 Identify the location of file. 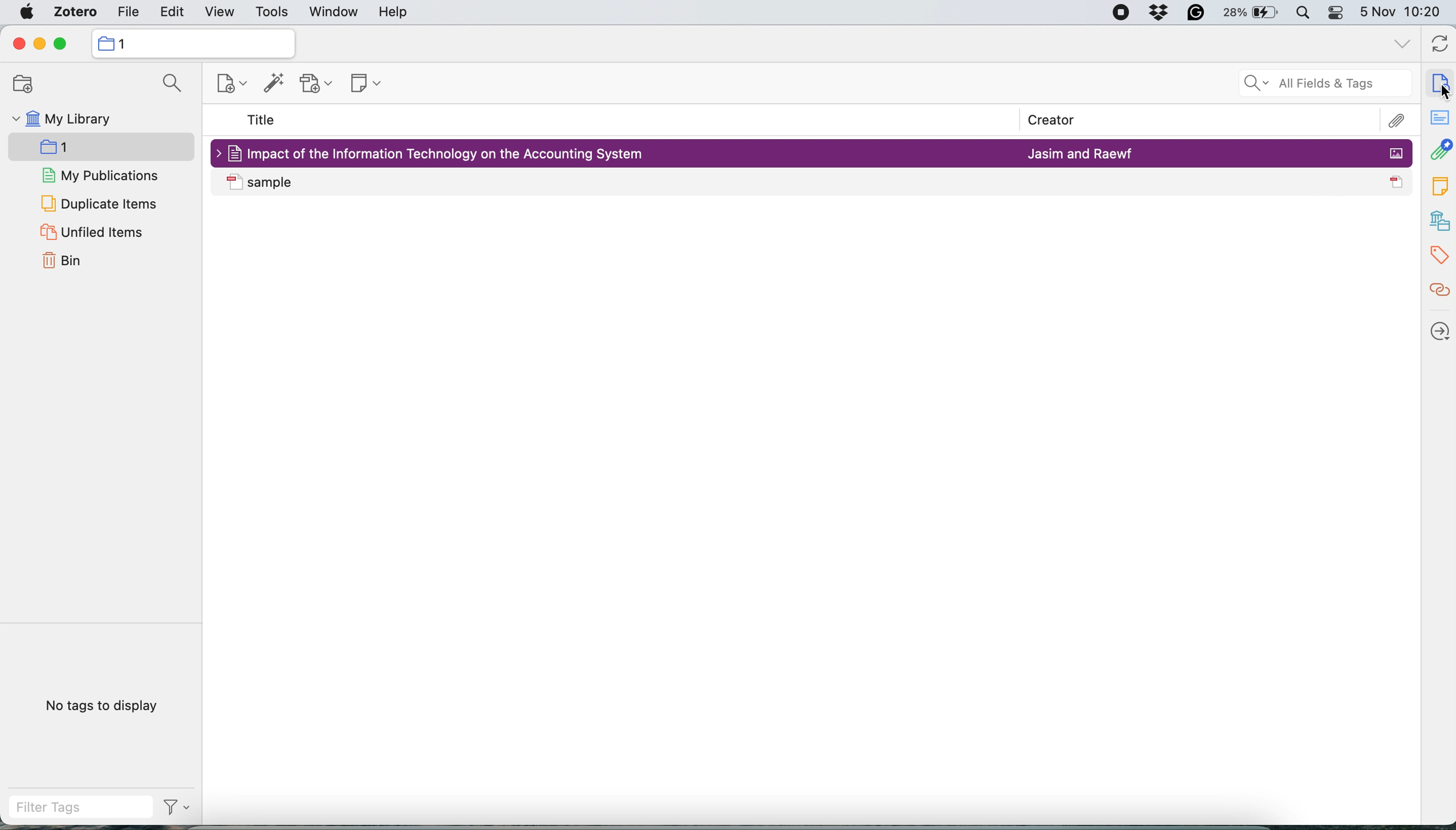
(128, 12).